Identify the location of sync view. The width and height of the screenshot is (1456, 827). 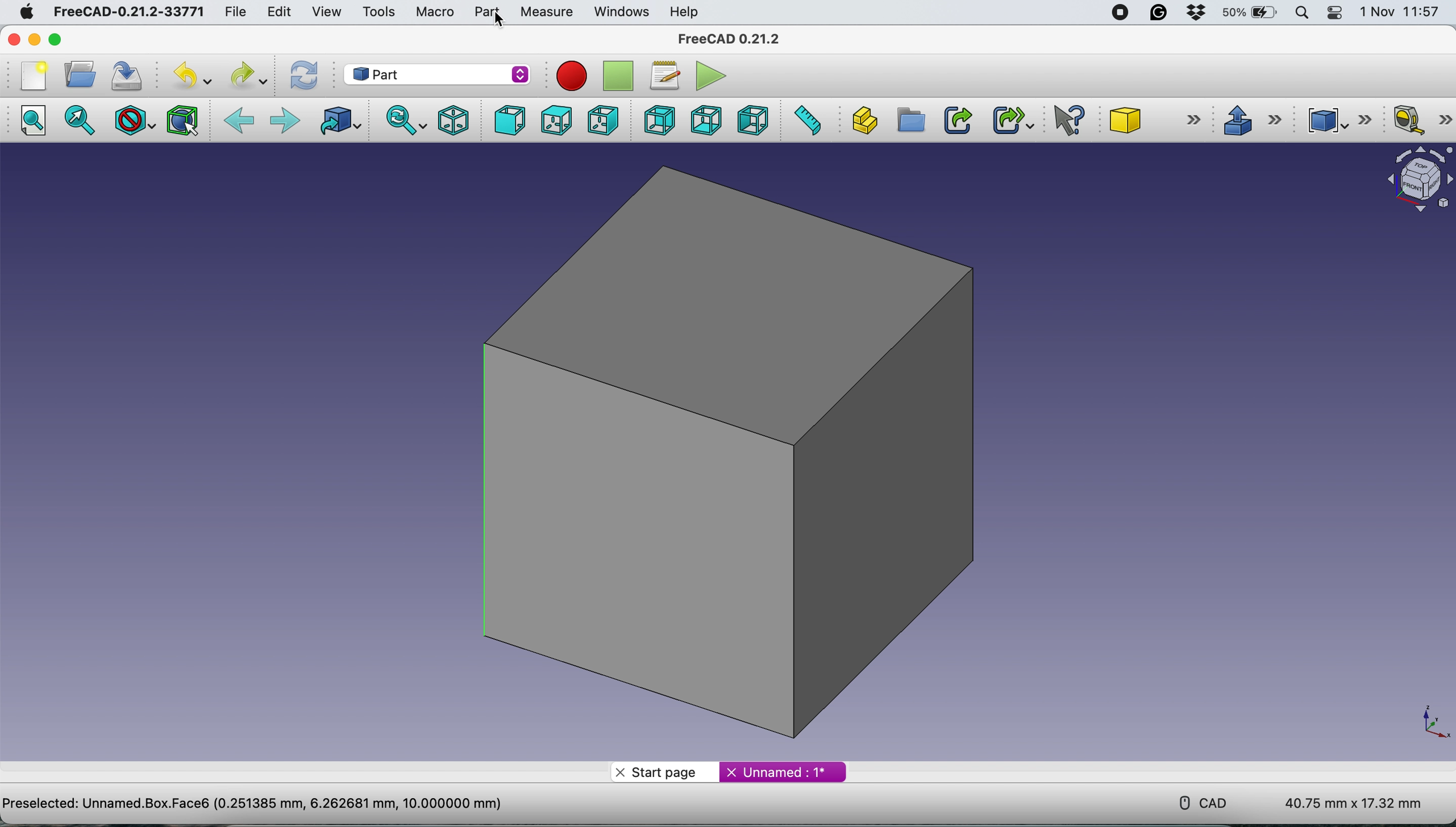
(402, 121).